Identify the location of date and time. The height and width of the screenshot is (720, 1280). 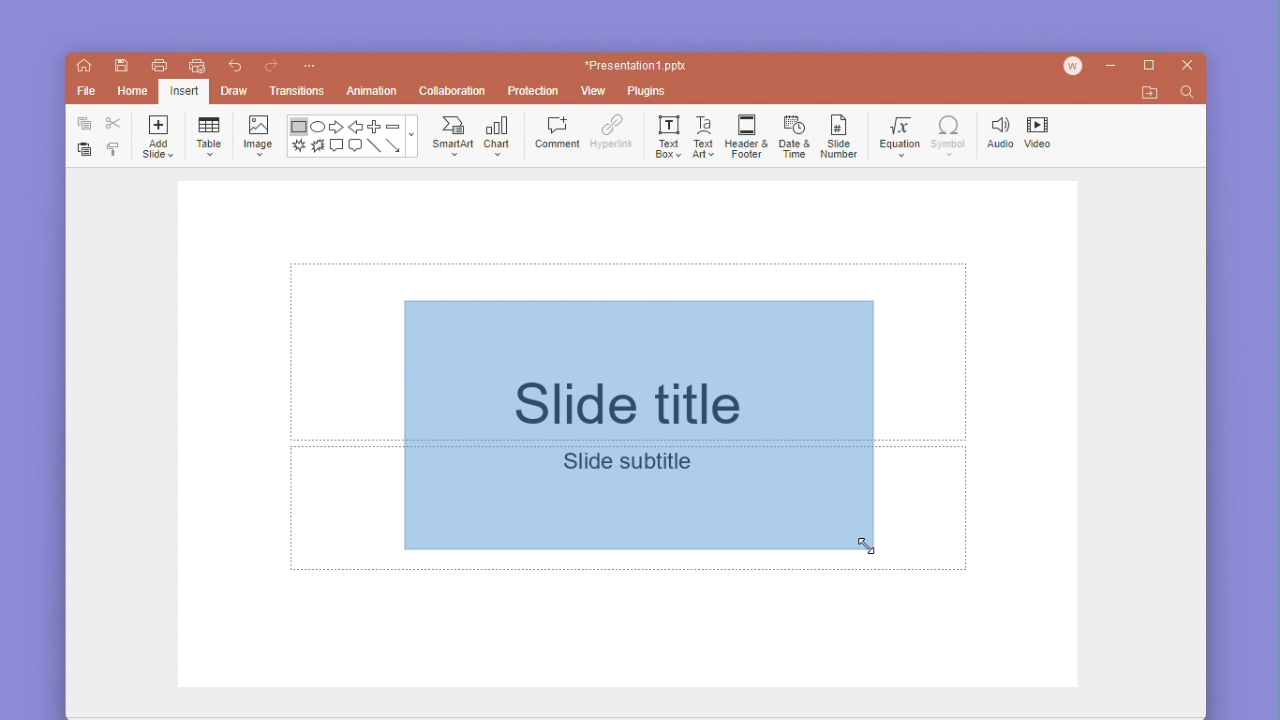
(792, 134).